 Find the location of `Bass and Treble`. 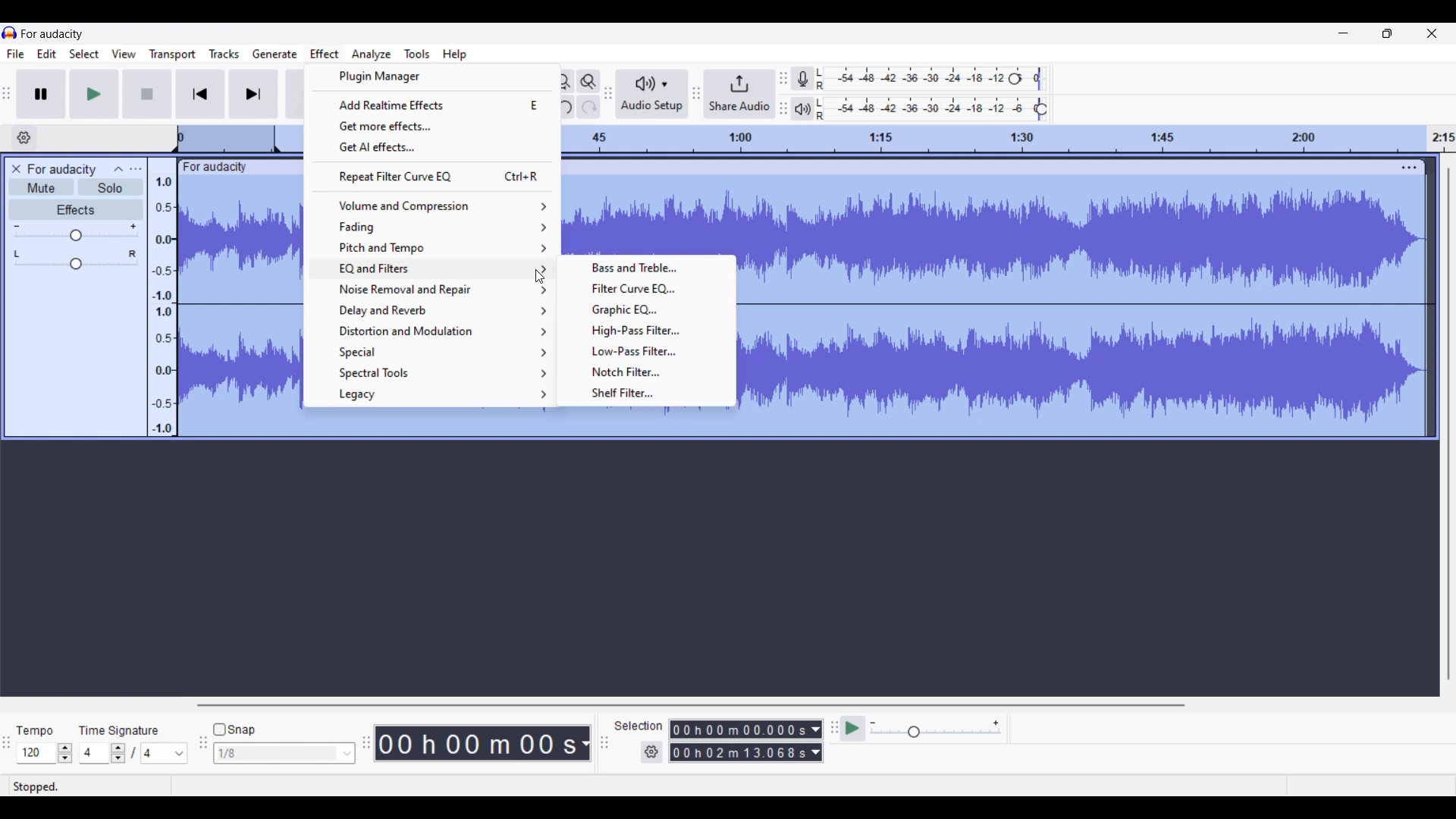

Bass and Treble is located at coordinates (648, 267).